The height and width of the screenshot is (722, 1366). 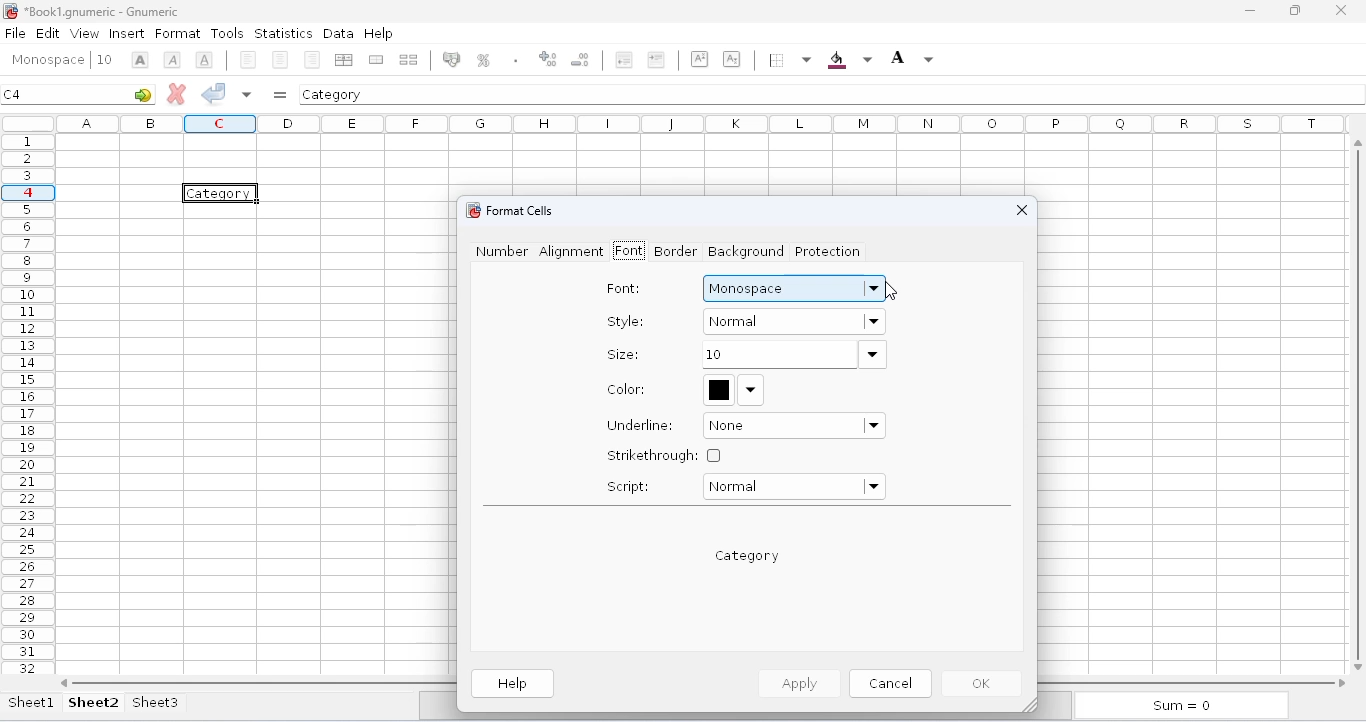 I want to click on align right, so click(x=312, y=59).